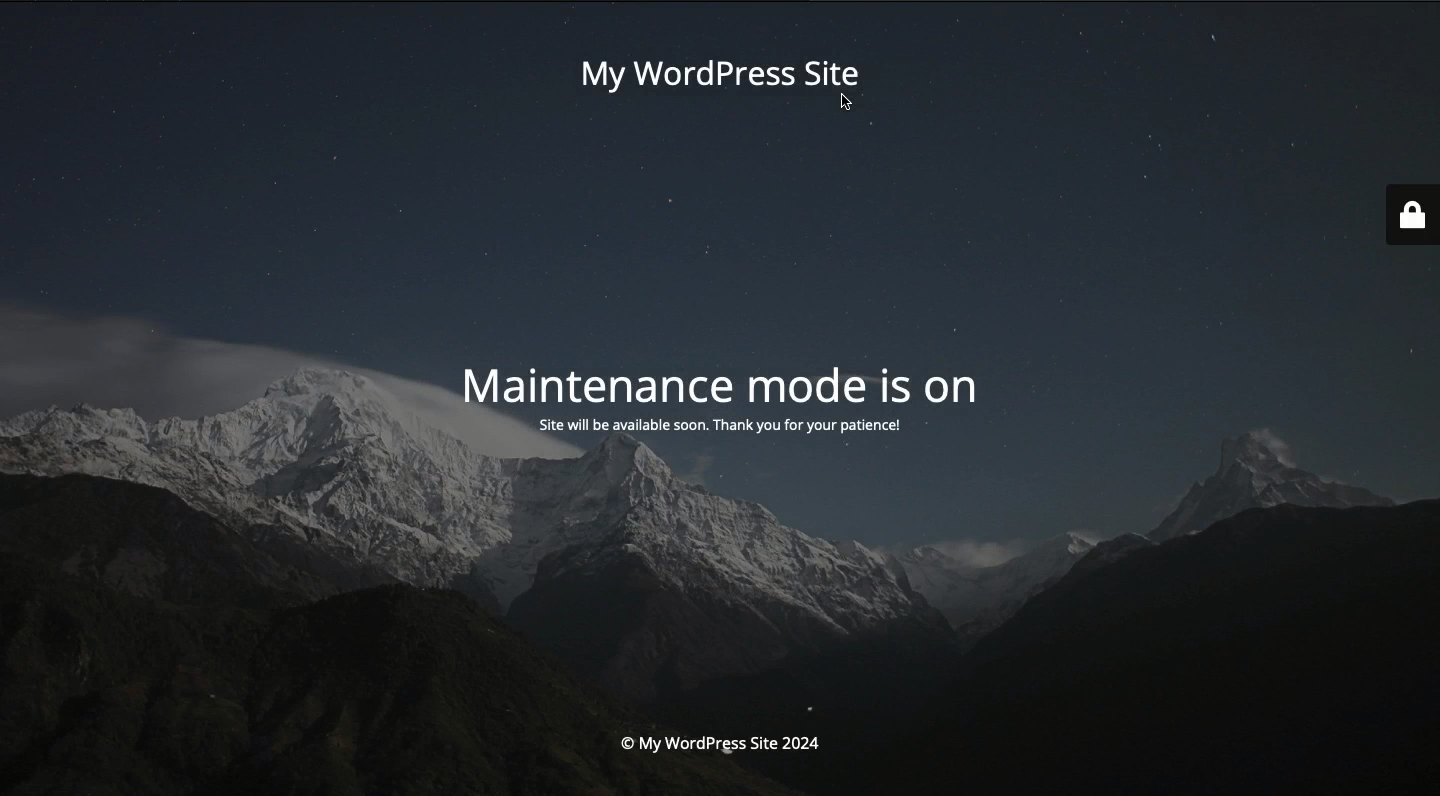 The image size is (1440, 796). Describe the element at coordinates (1413, 215) in the screenshot. I see `Lock` at that location.